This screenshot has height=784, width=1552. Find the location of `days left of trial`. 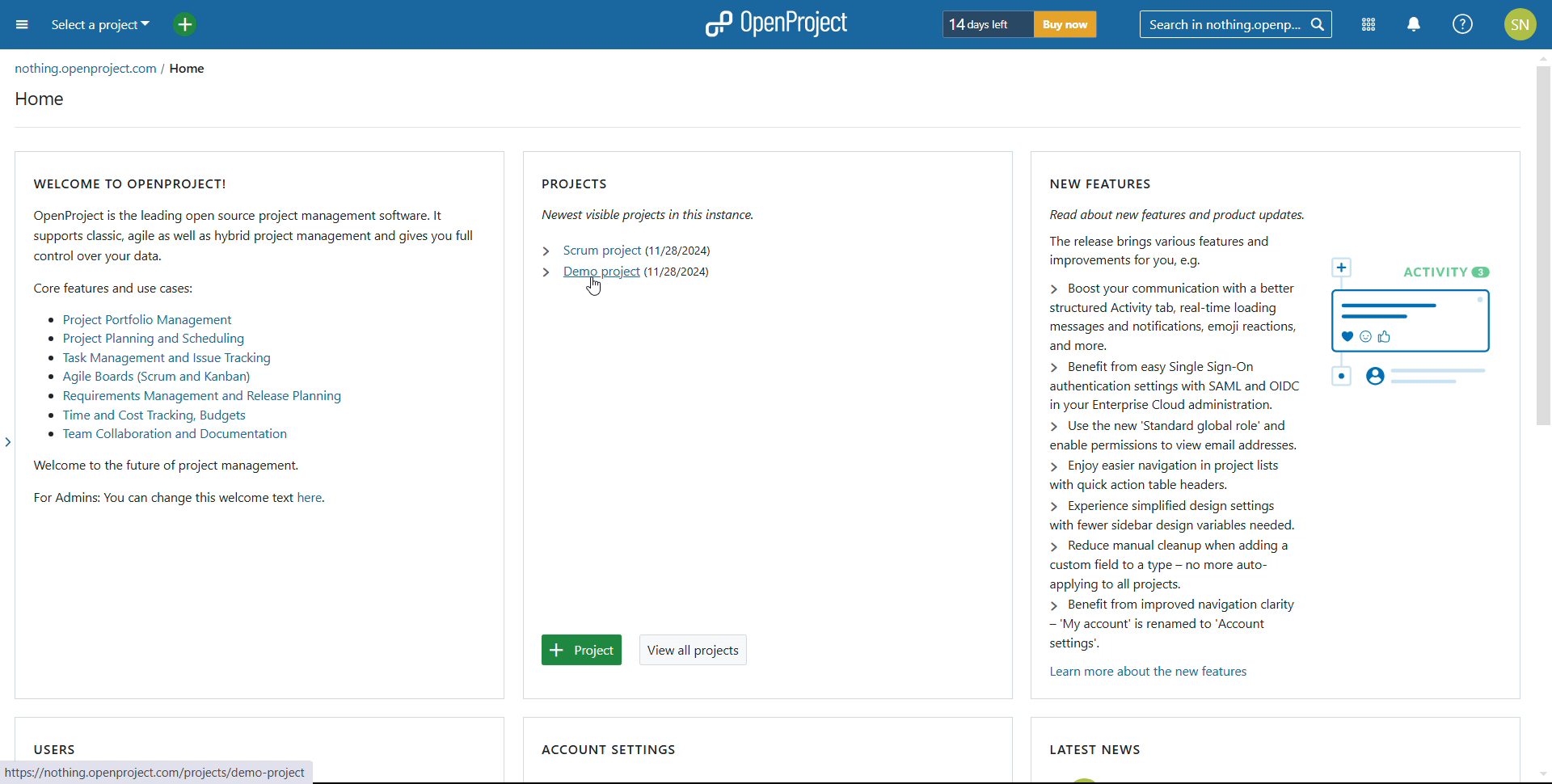

days left of trial is located at coordinates (986, 23).